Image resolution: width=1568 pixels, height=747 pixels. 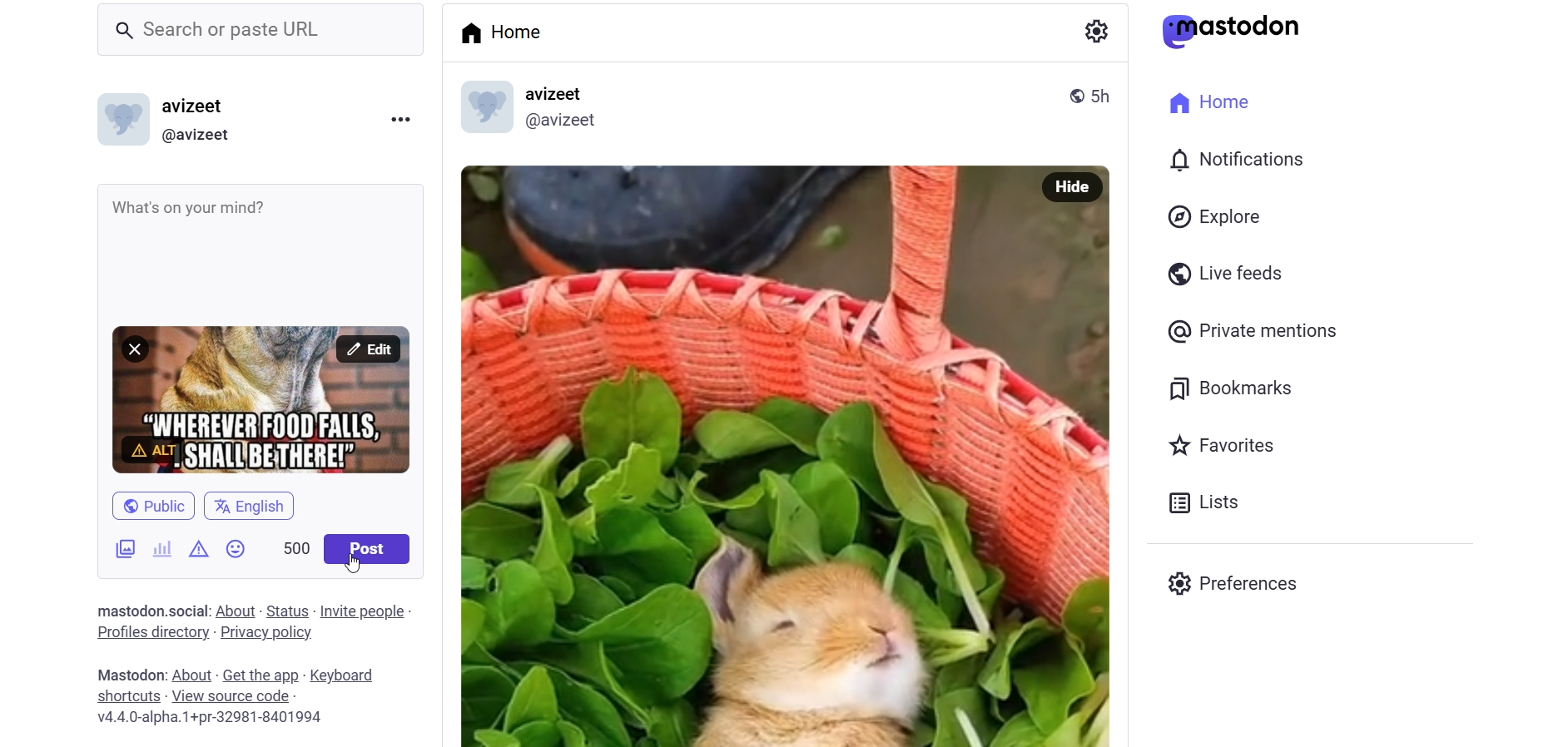 What do you see at coordinates (1071, 93) in the screenshot?
I see `public` at bounding box center [1071, 93].